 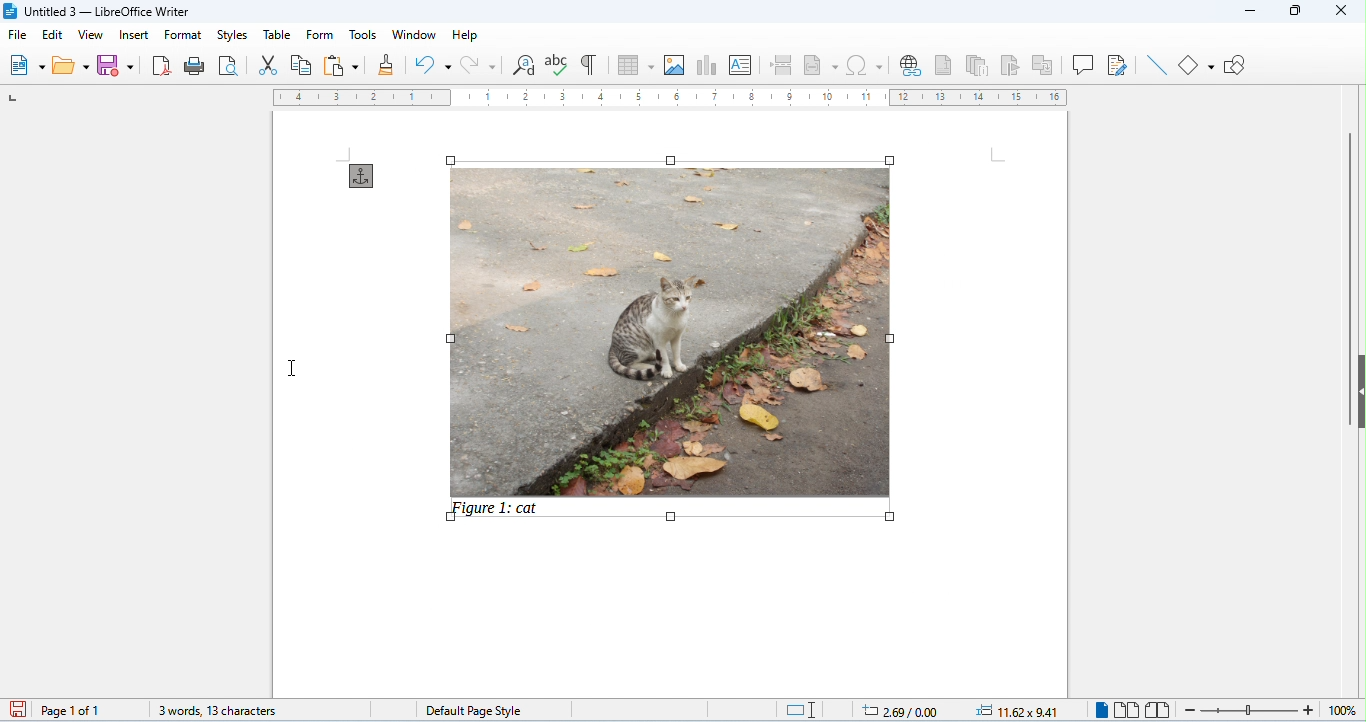 What do you see at coordinates (302, 66) in the screenshot?
I see `copy` at bounding box center [302, 66].